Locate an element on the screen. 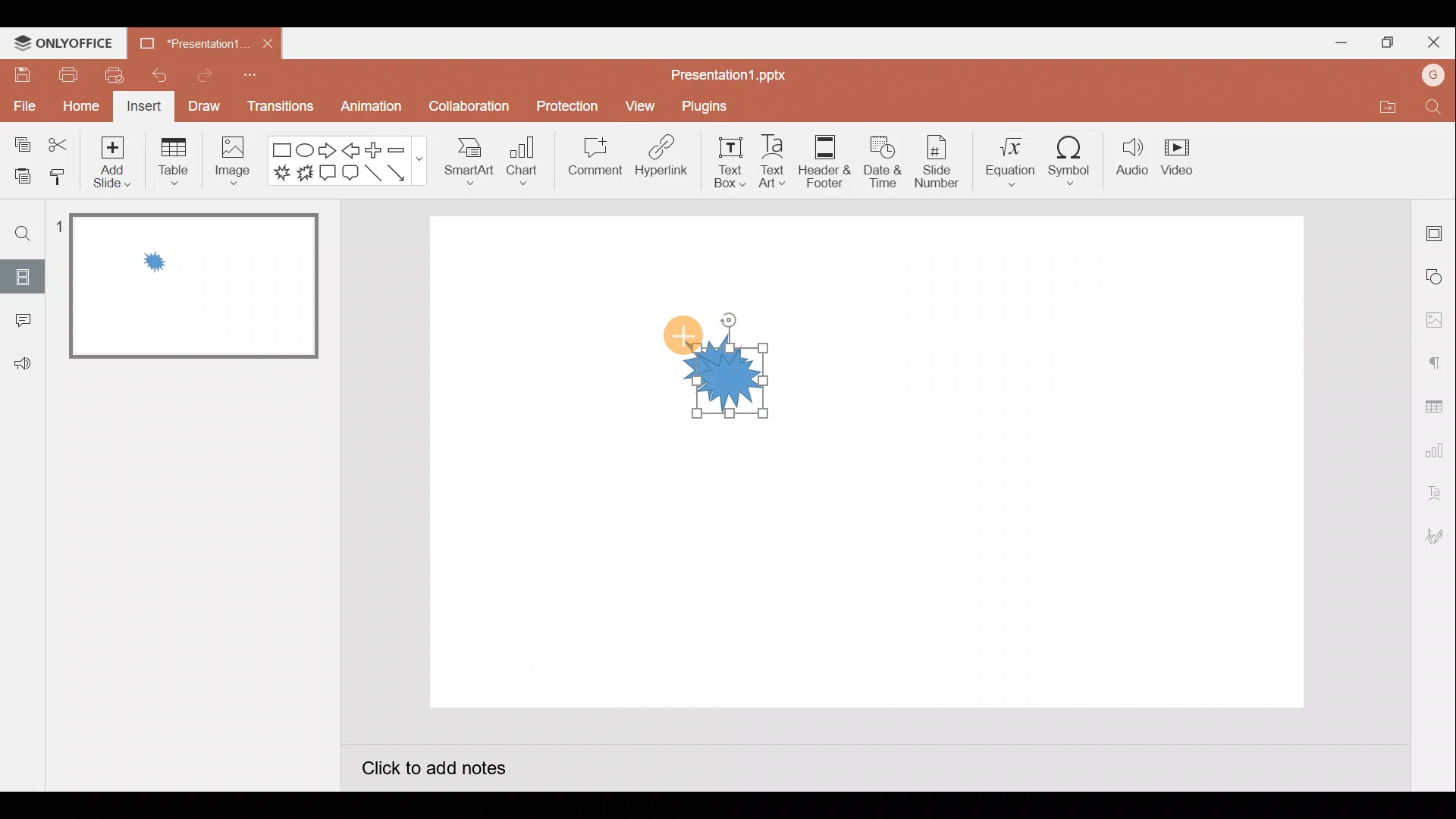 This screenshot has height=819, width=1456. Smart Art is located at coordinates (472, 165).